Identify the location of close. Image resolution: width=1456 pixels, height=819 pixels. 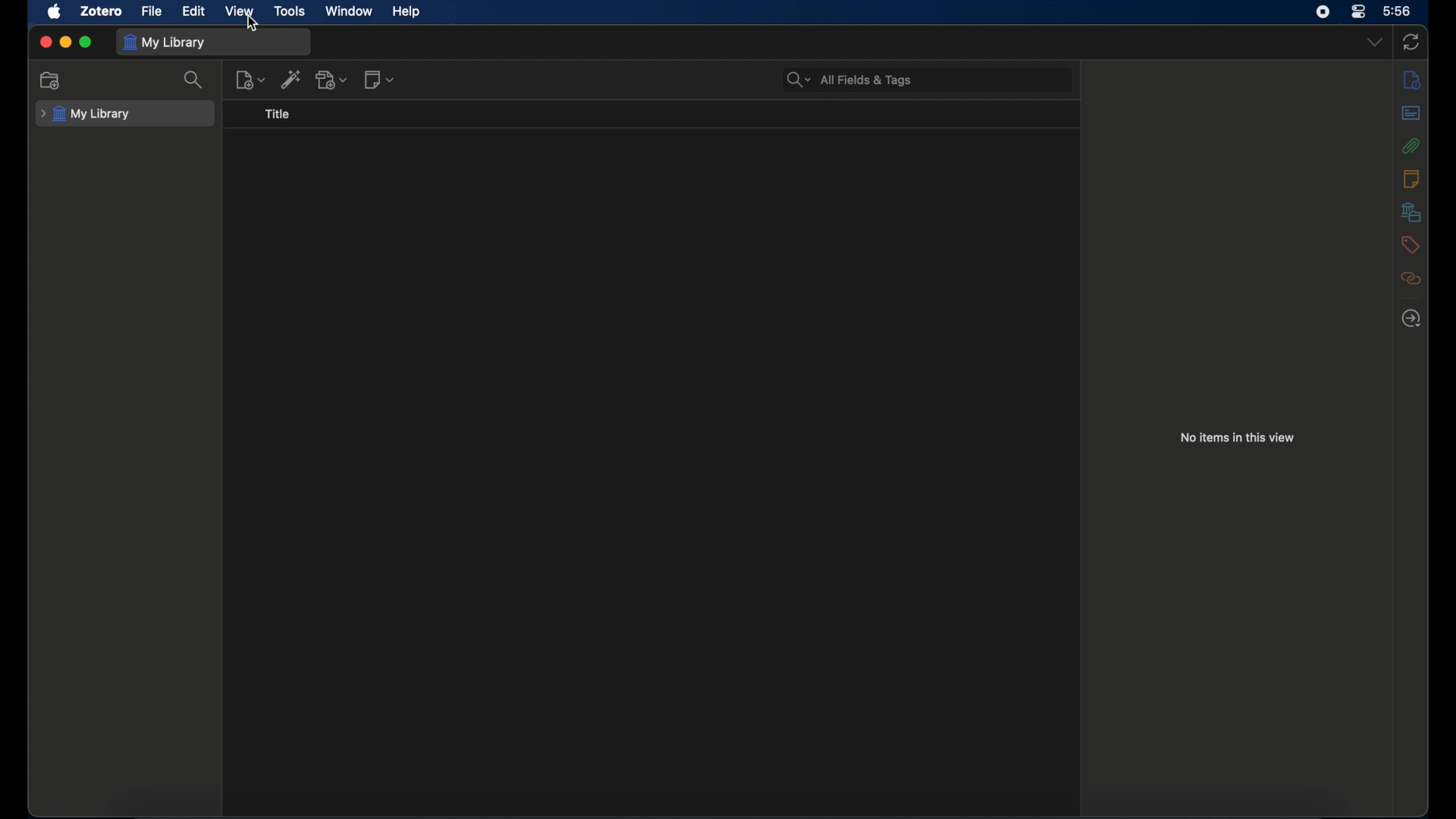
(45, 41).